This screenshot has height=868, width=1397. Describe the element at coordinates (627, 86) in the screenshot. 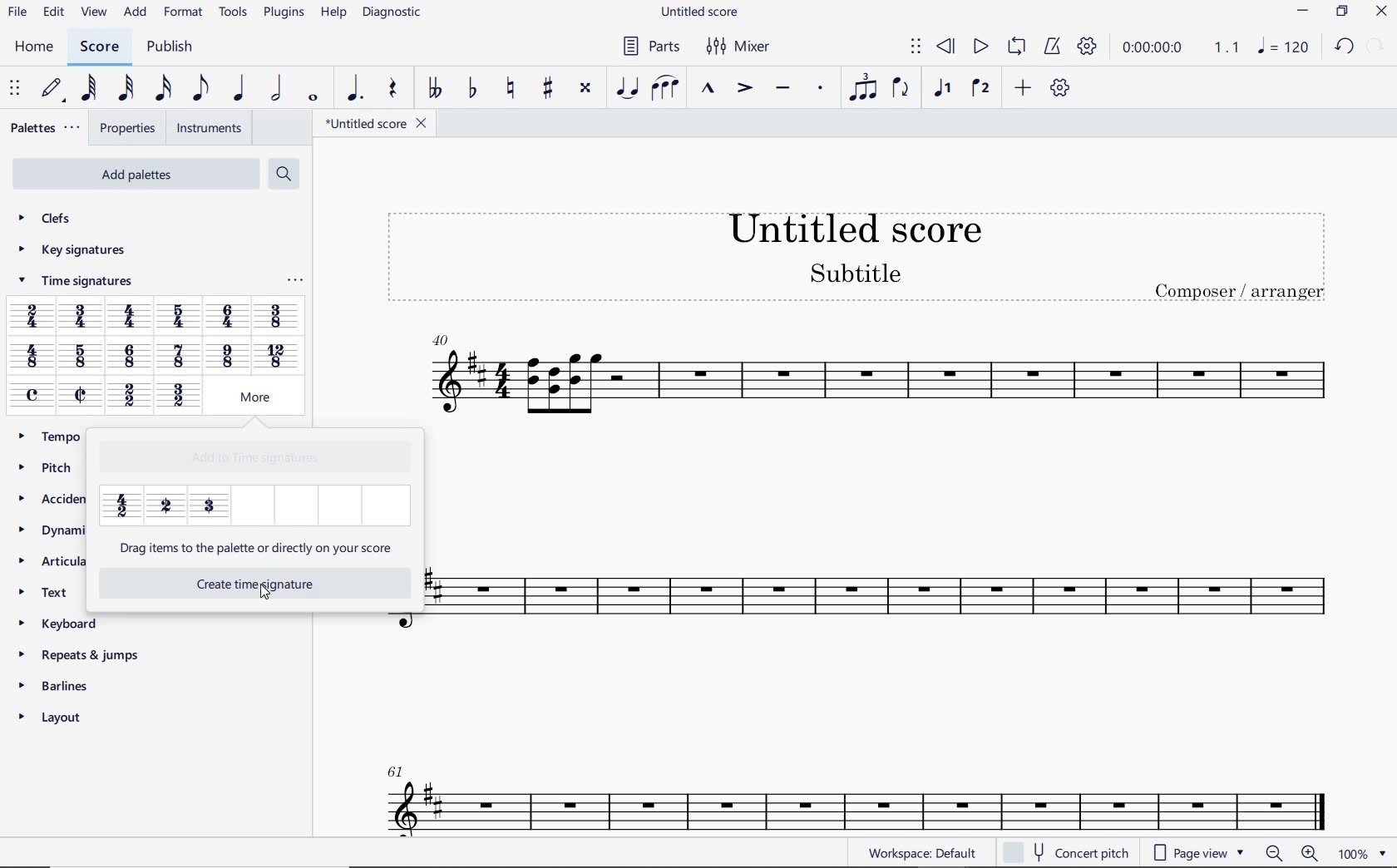

I see `TIE` at that location.